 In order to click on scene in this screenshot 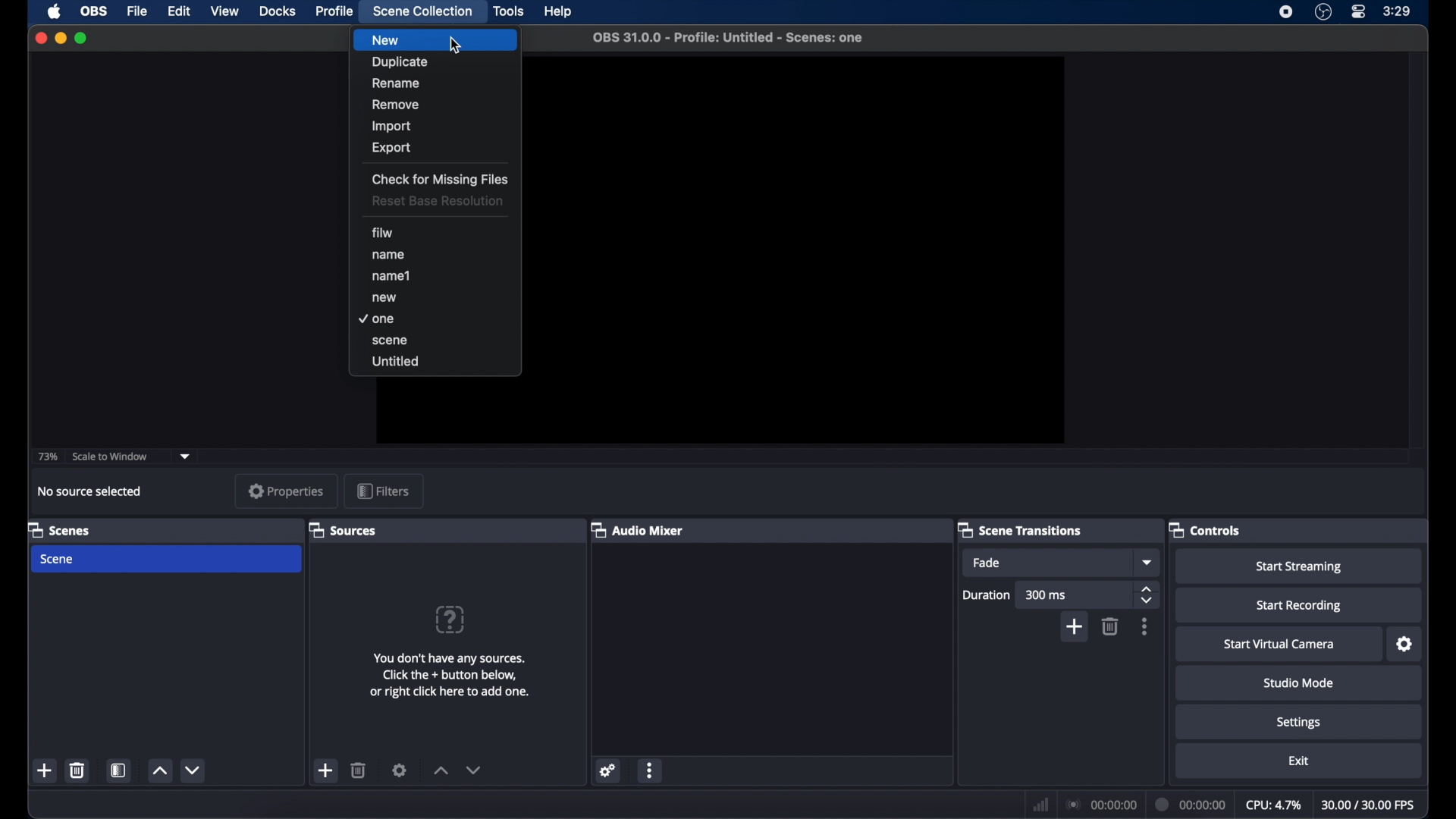, I will do `click(438, 341)`.